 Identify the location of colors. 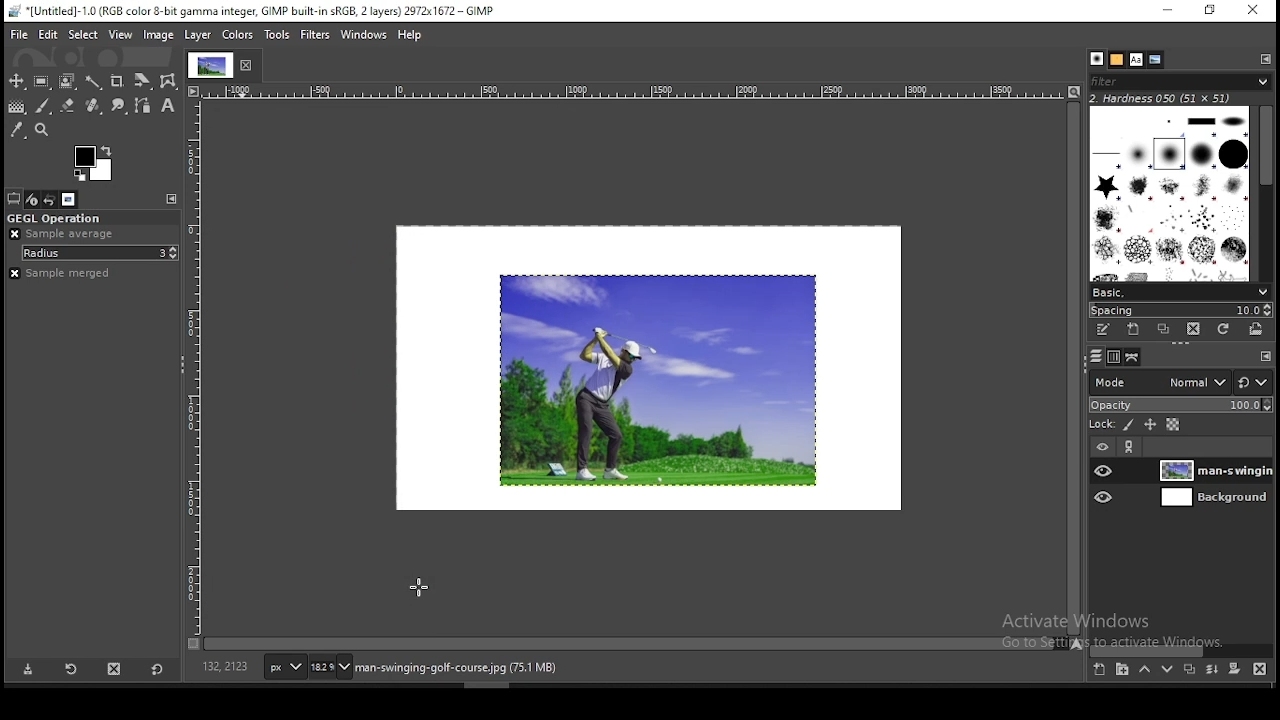
(95, 161).